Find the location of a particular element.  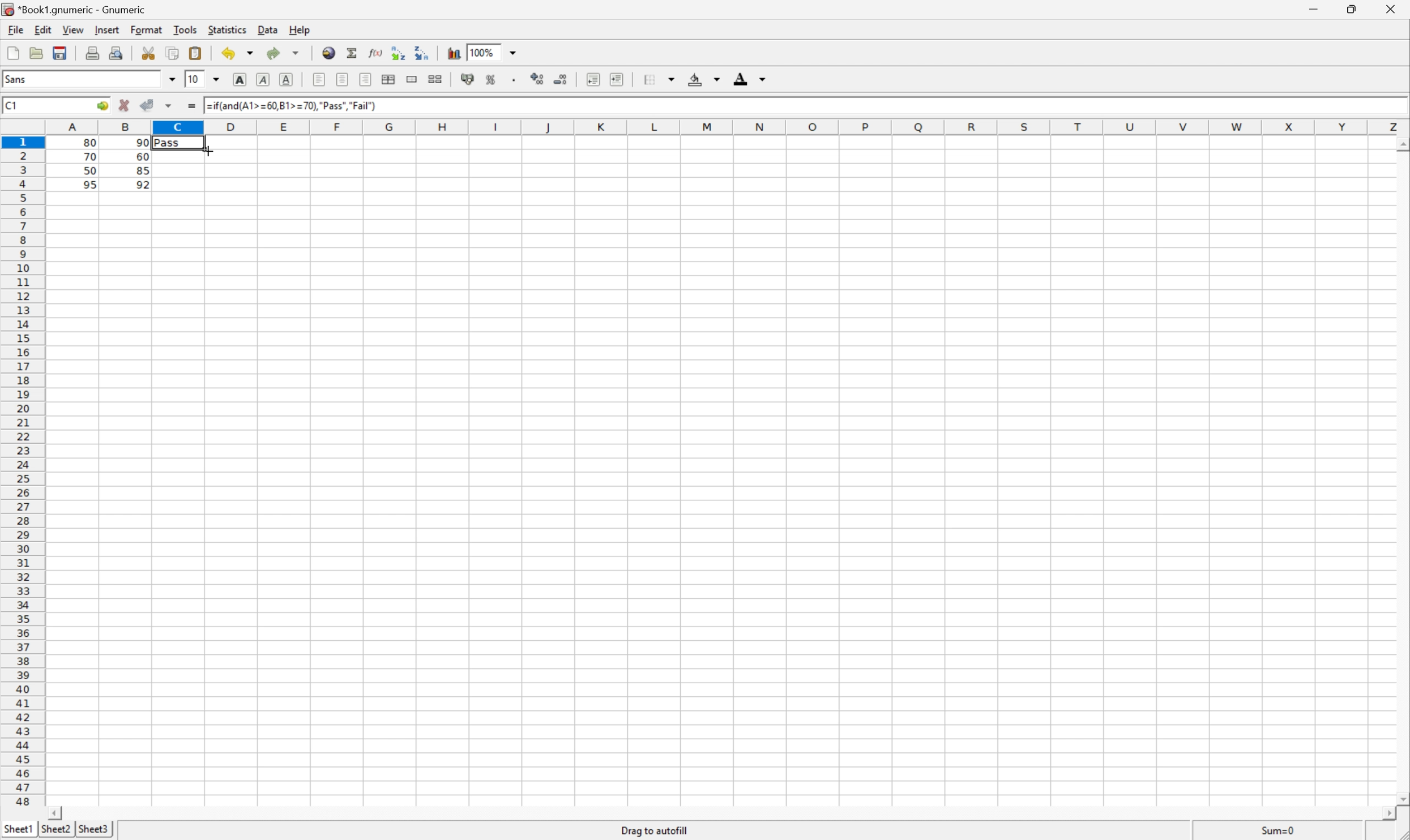

Paste the clipboard is located at coordinates (196, 54).